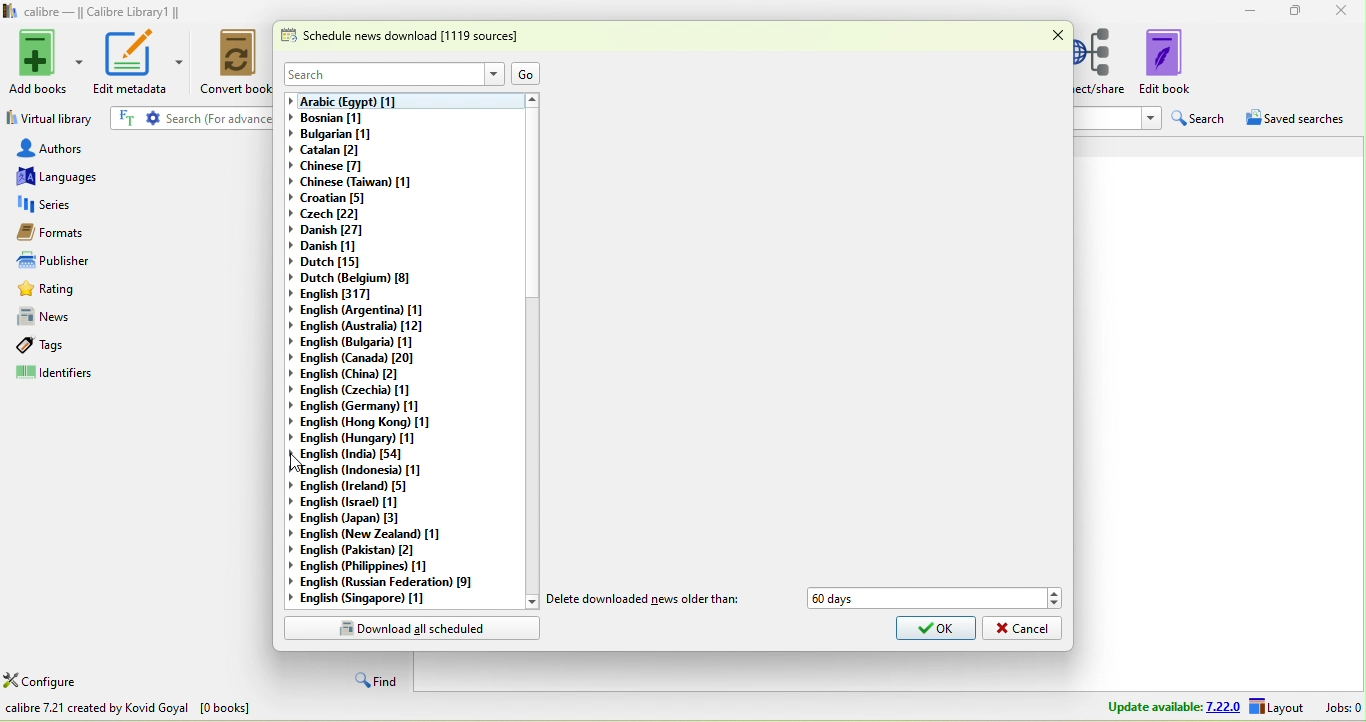  Describe the element at coordinates (1055, 599) in the screenshot. I see `Drop down` at that location.